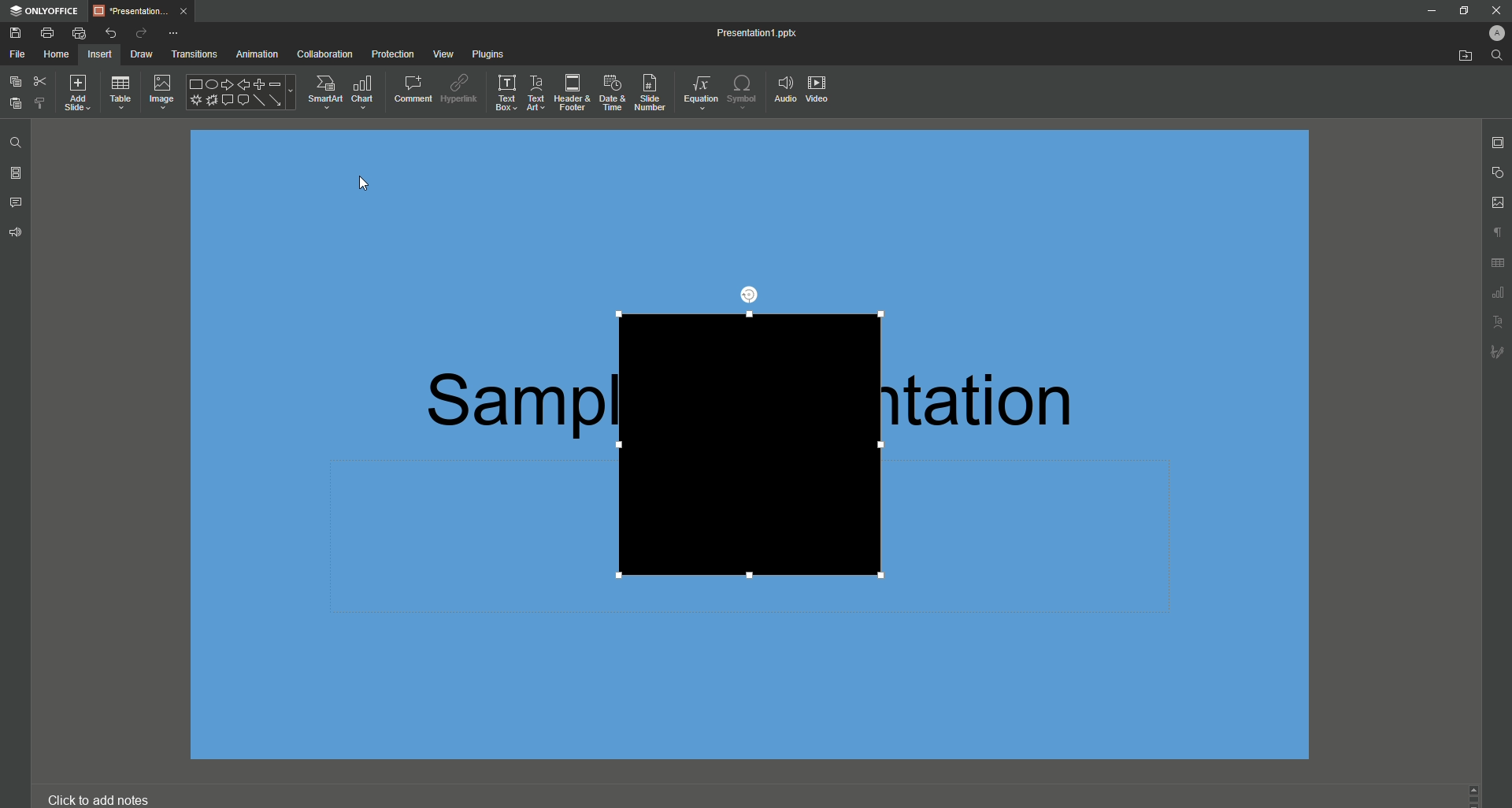  Describe the element at coordinates (438, 54) in the screenshot. I see `View` at that location.